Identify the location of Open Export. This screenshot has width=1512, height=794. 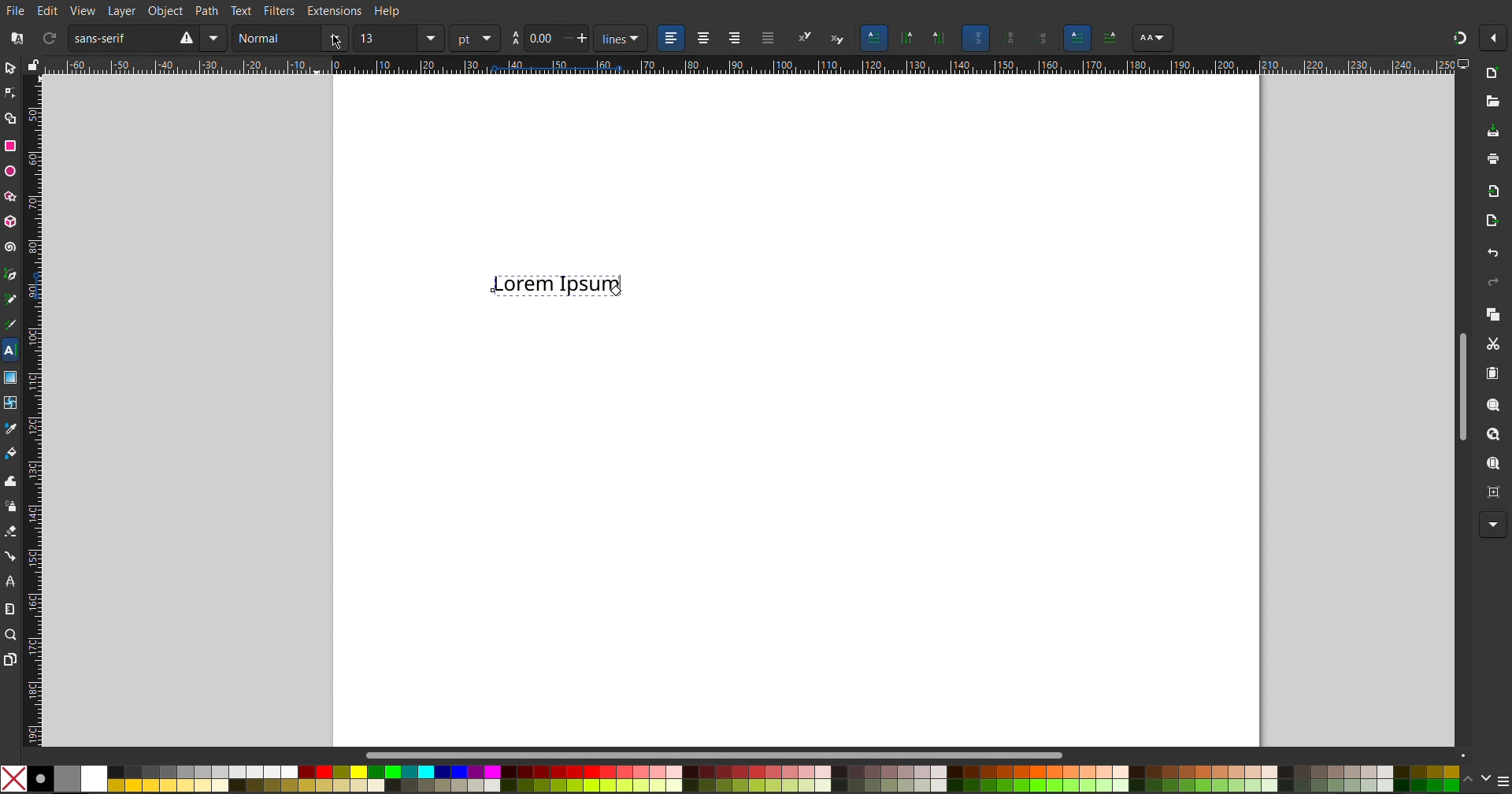
(1492, 223).